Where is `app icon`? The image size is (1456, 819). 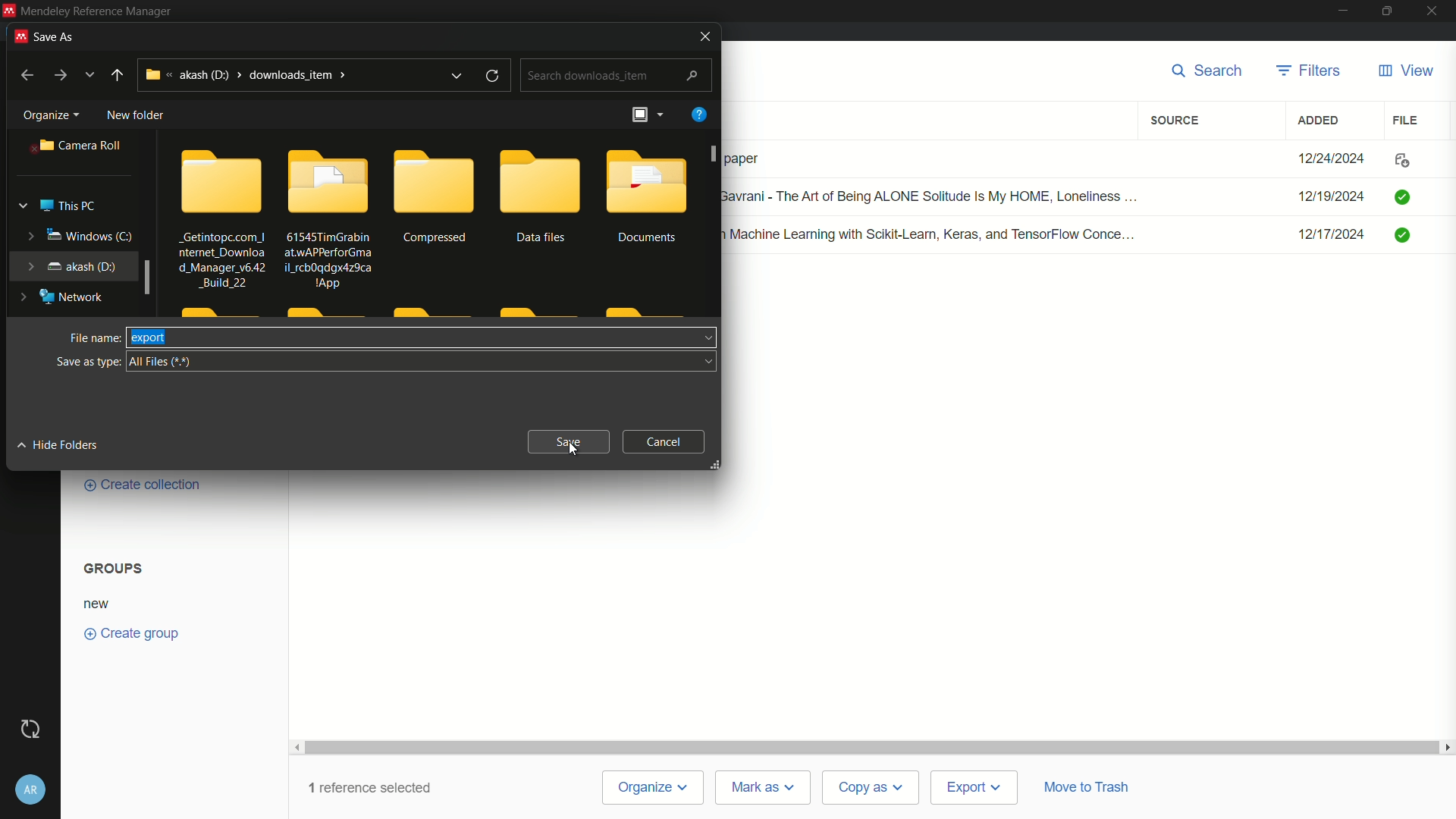
app icon is located at coordinates (9, 9).